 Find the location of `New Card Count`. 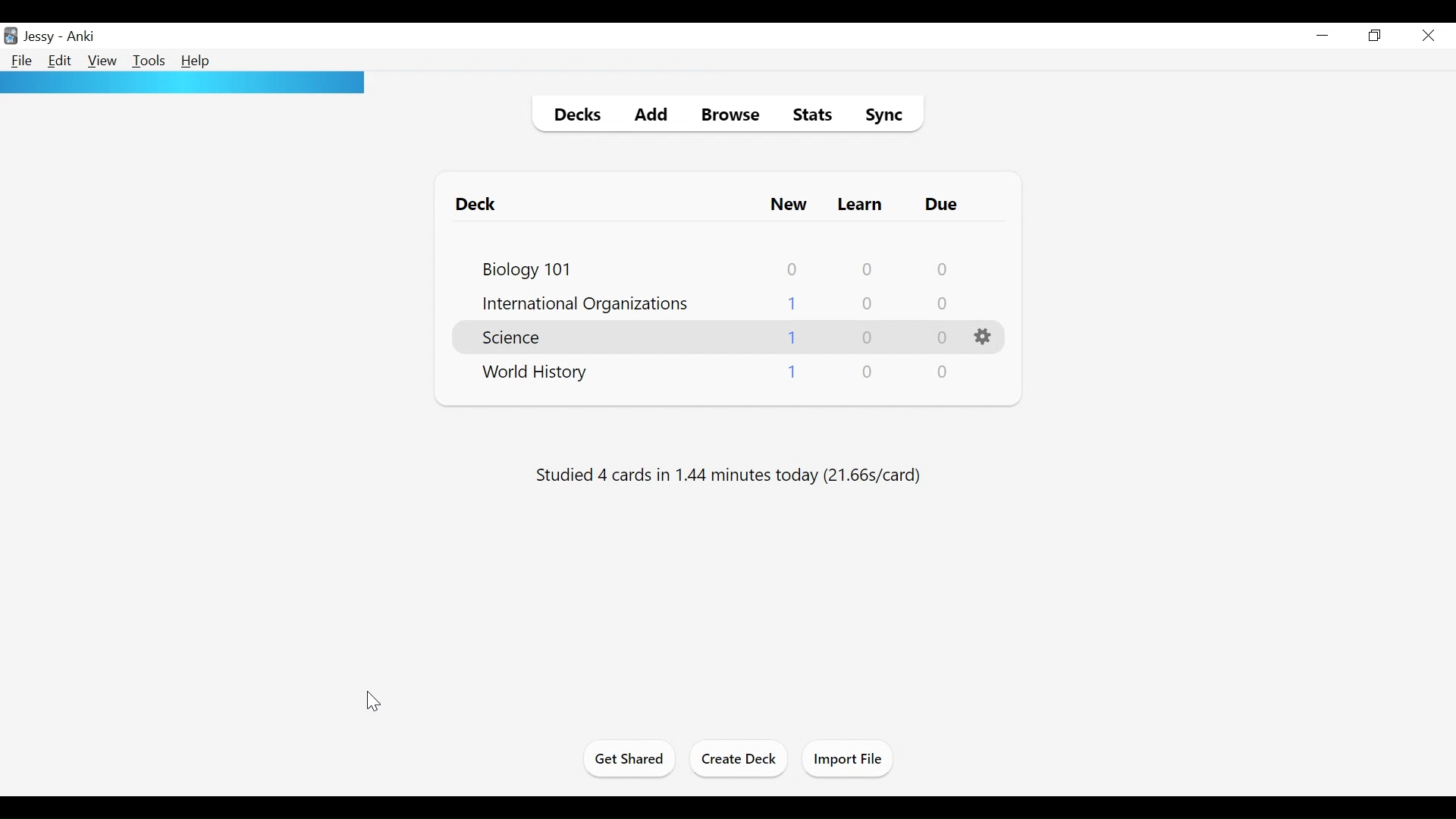

New Card Count is located at coordinates (793, 267).